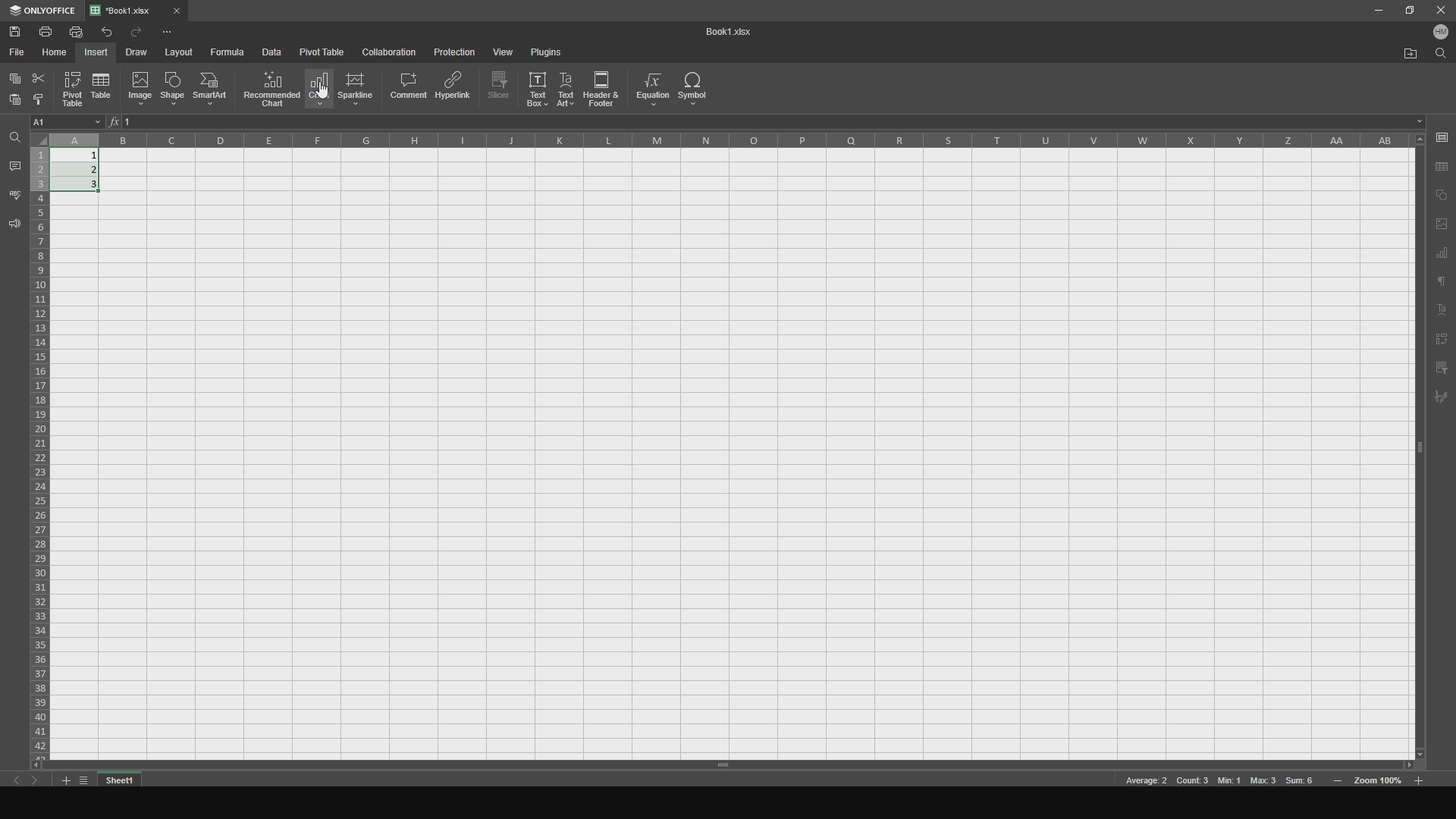 This screenshot has width=1456, height=819. What do you see at coordinates (49, 32) in the screenshot?
I see `print` at bounding box center [49, 32].